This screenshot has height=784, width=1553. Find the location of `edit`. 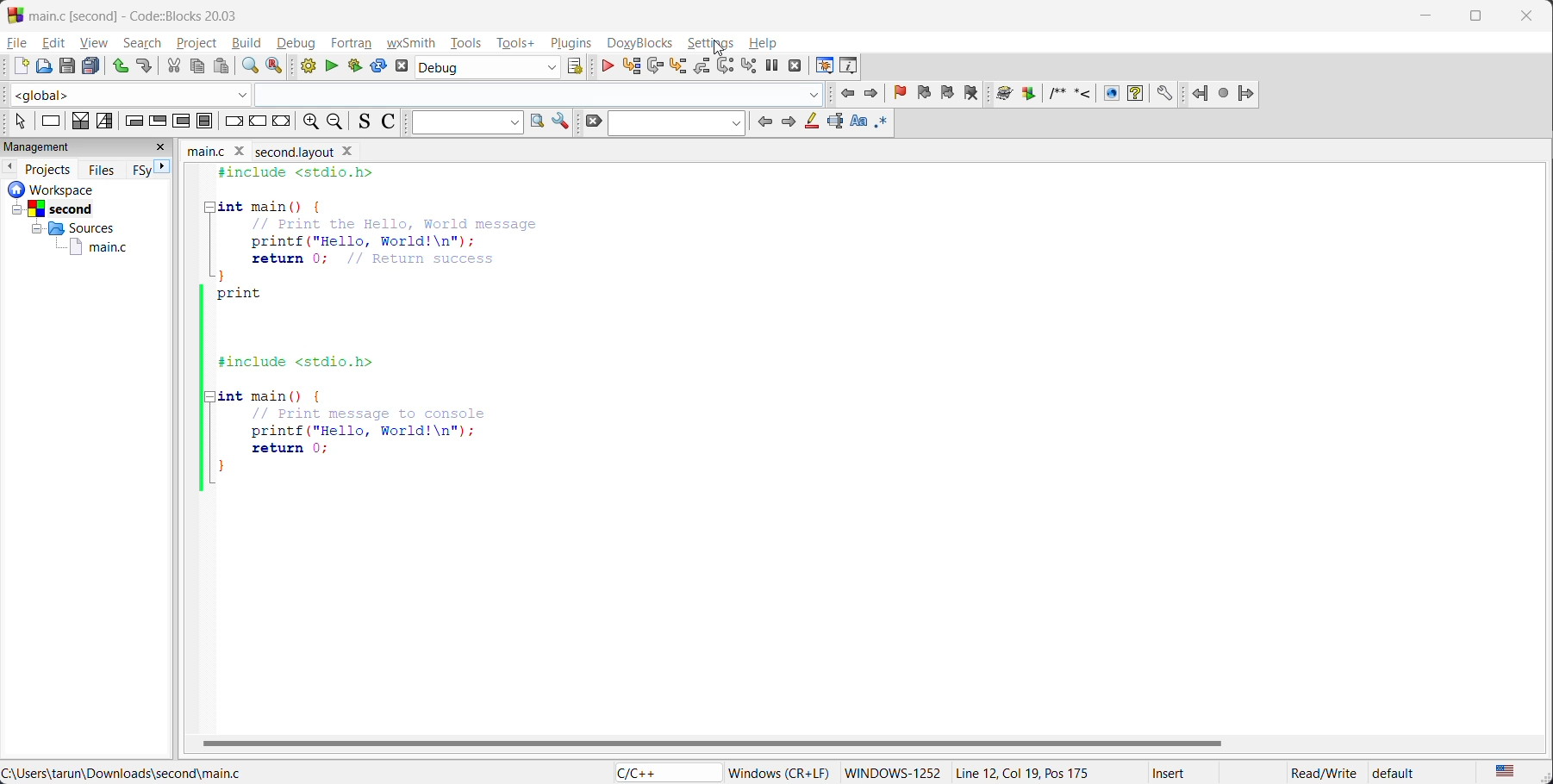

edit is located at coordinates (53, 44).